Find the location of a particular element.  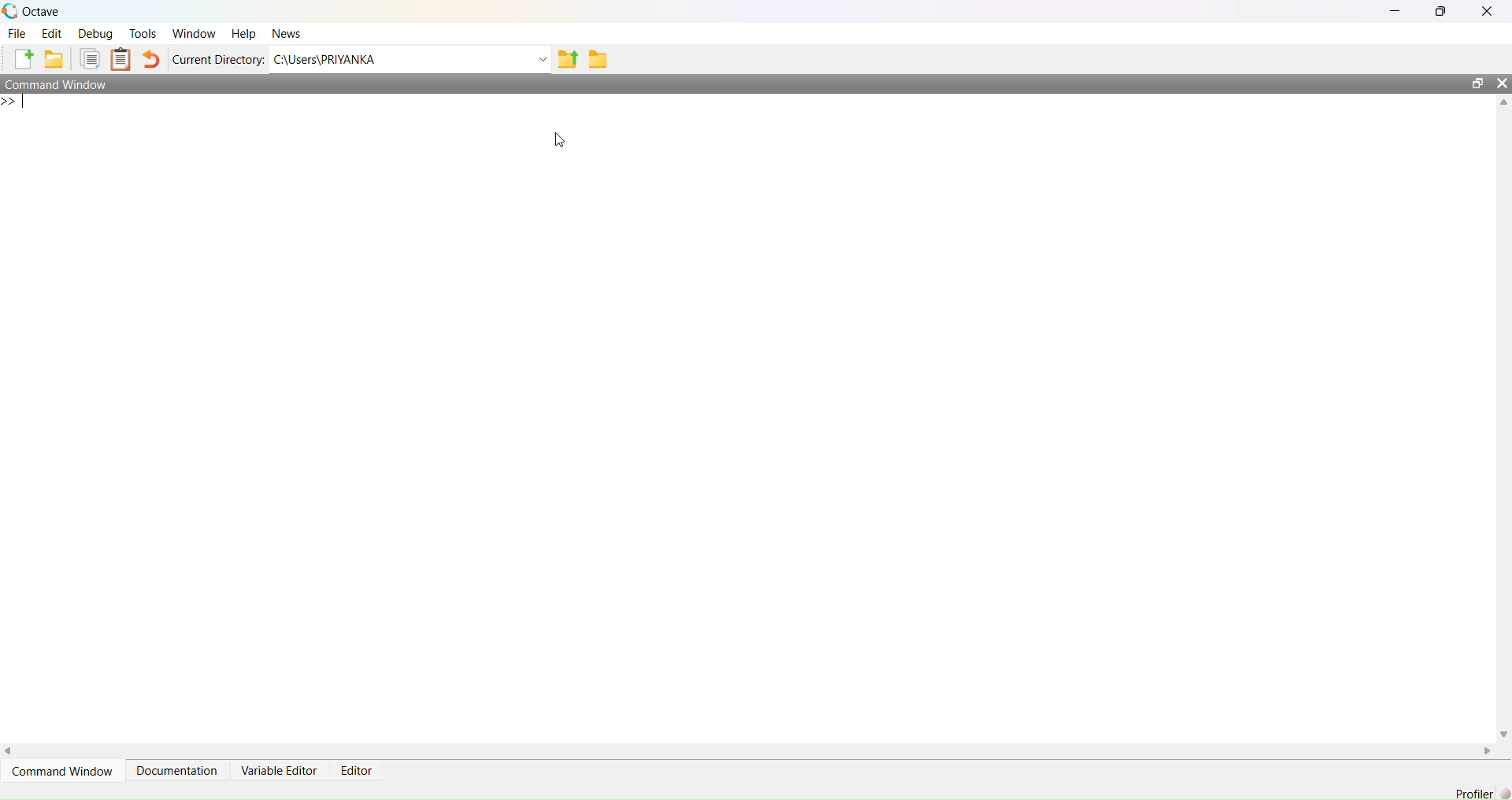

close is located at coordinates (1488, 10).